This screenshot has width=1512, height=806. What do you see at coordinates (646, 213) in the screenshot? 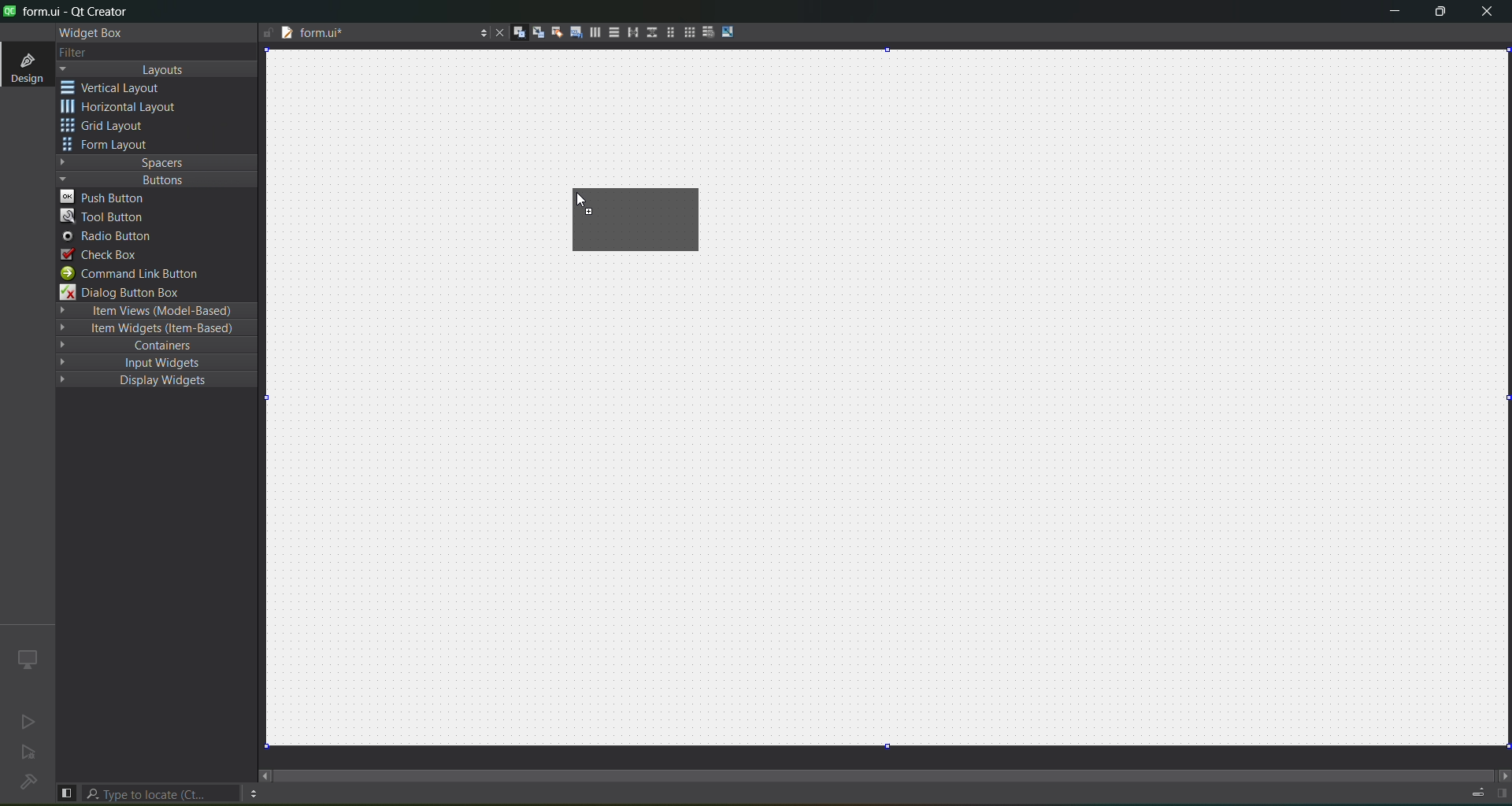
I see `grid layout` at bounding box center [646, 213].